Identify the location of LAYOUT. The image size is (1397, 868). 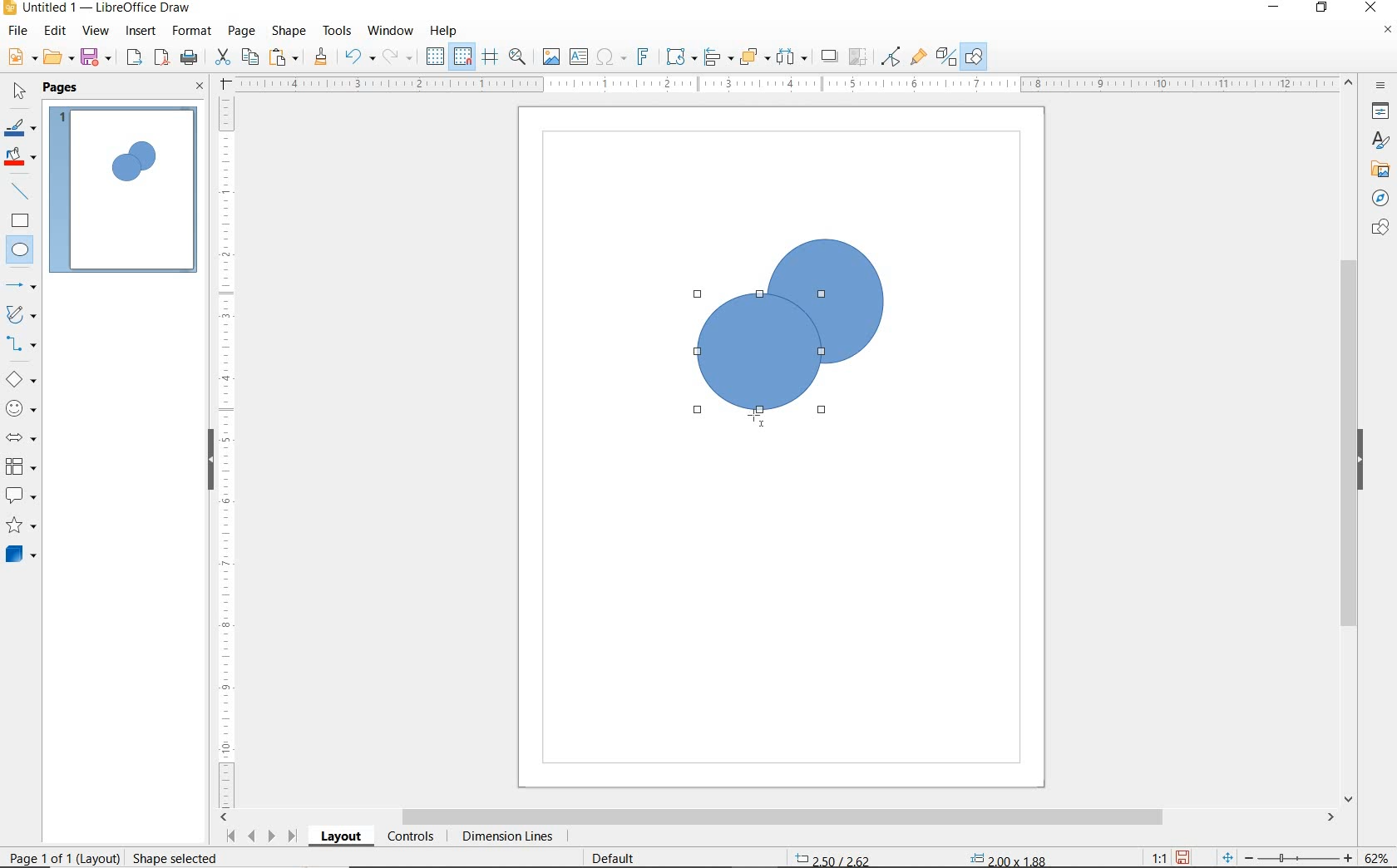
(340, 839).